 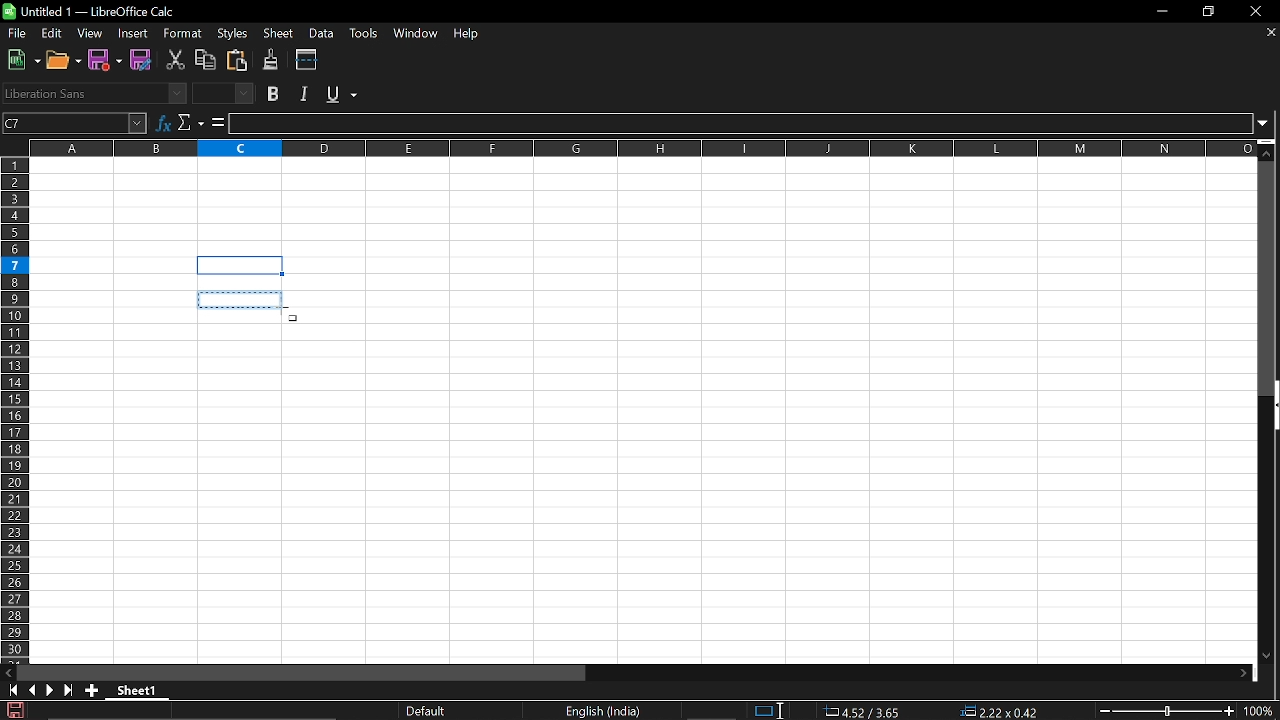 What do you see at coordinates (241, 266) in the screenshot?
I see `selected cell` at bounding box center [241, 266].